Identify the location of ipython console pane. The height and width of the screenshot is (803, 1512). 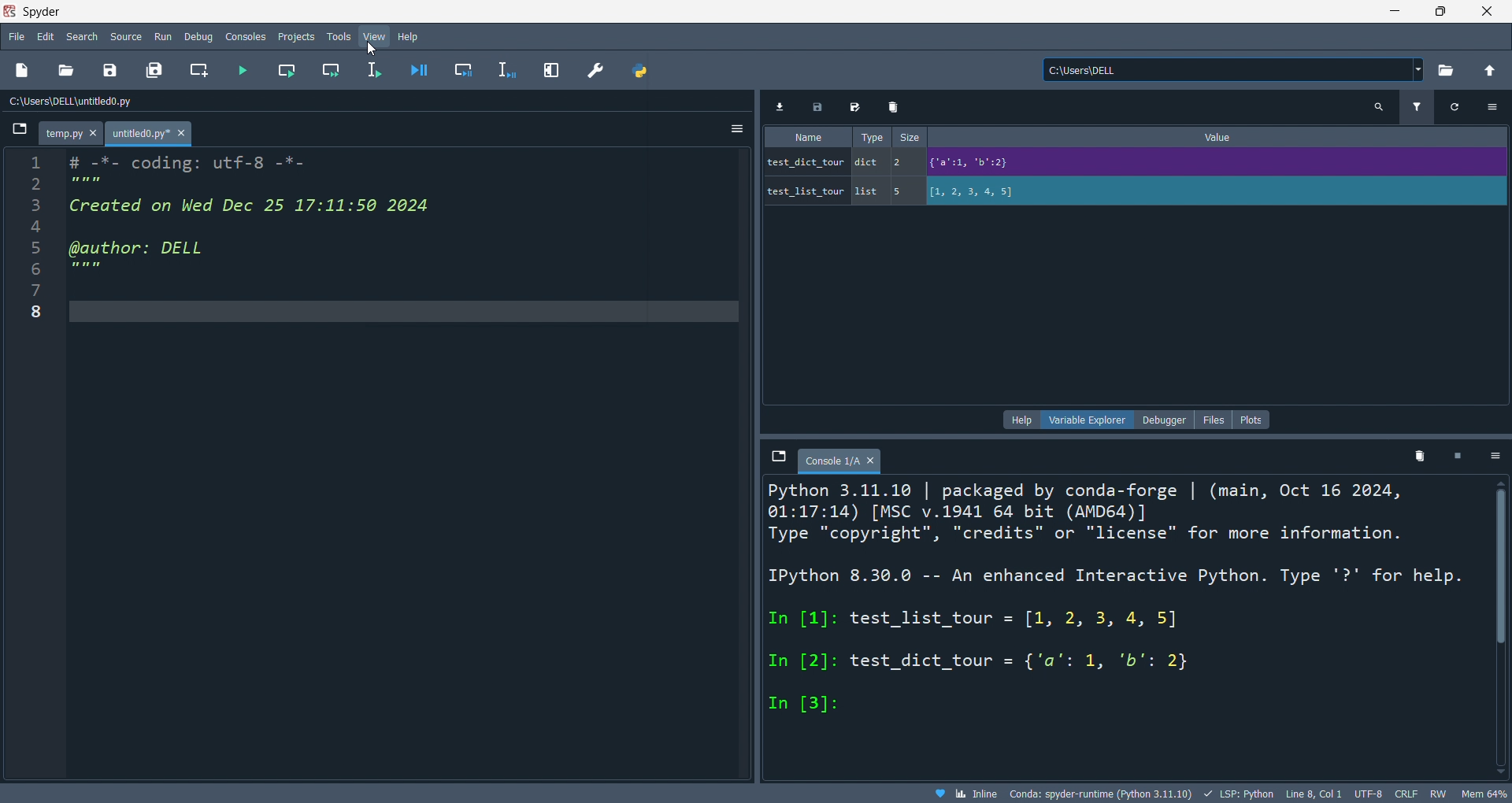
(1118, 626).